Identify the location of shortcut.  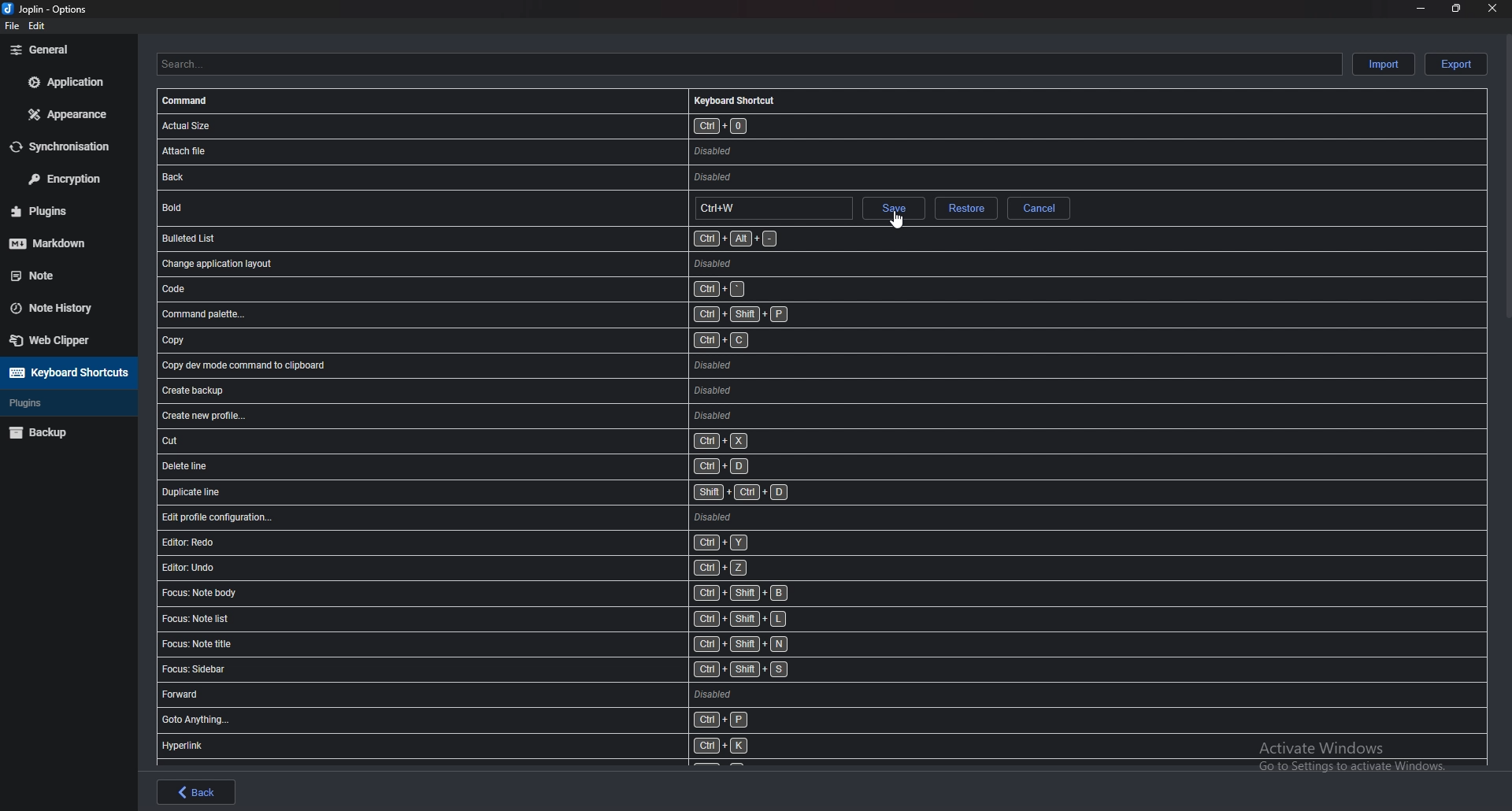
(517, 543).